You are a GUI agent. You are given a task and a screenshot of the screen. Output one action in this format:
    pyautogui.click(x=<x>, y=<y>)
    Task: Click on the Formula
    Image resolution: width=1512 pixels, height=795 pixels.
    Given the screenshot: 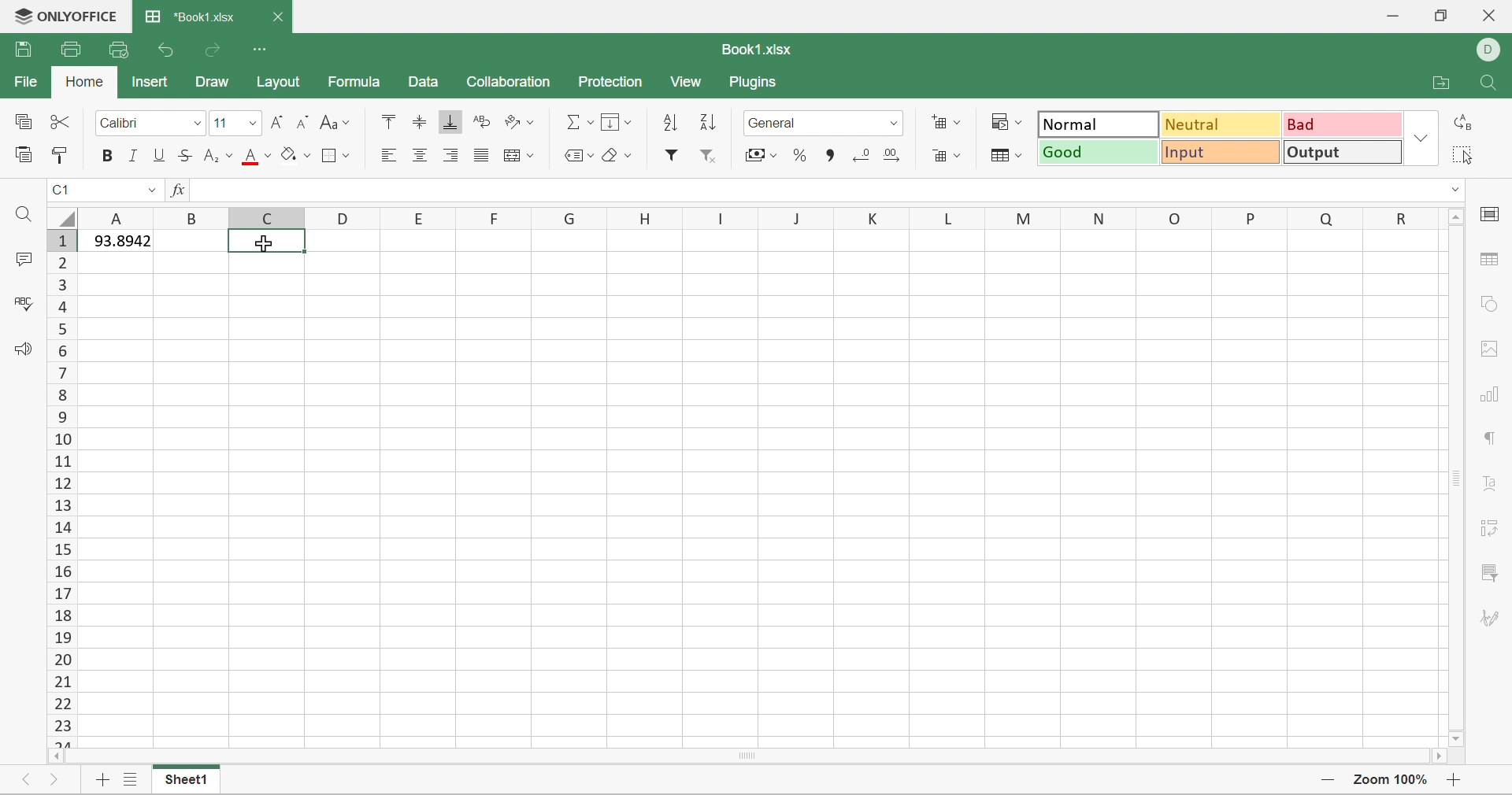 What is the action you would take?
    pyautogui.click(x=355, y=83)
    